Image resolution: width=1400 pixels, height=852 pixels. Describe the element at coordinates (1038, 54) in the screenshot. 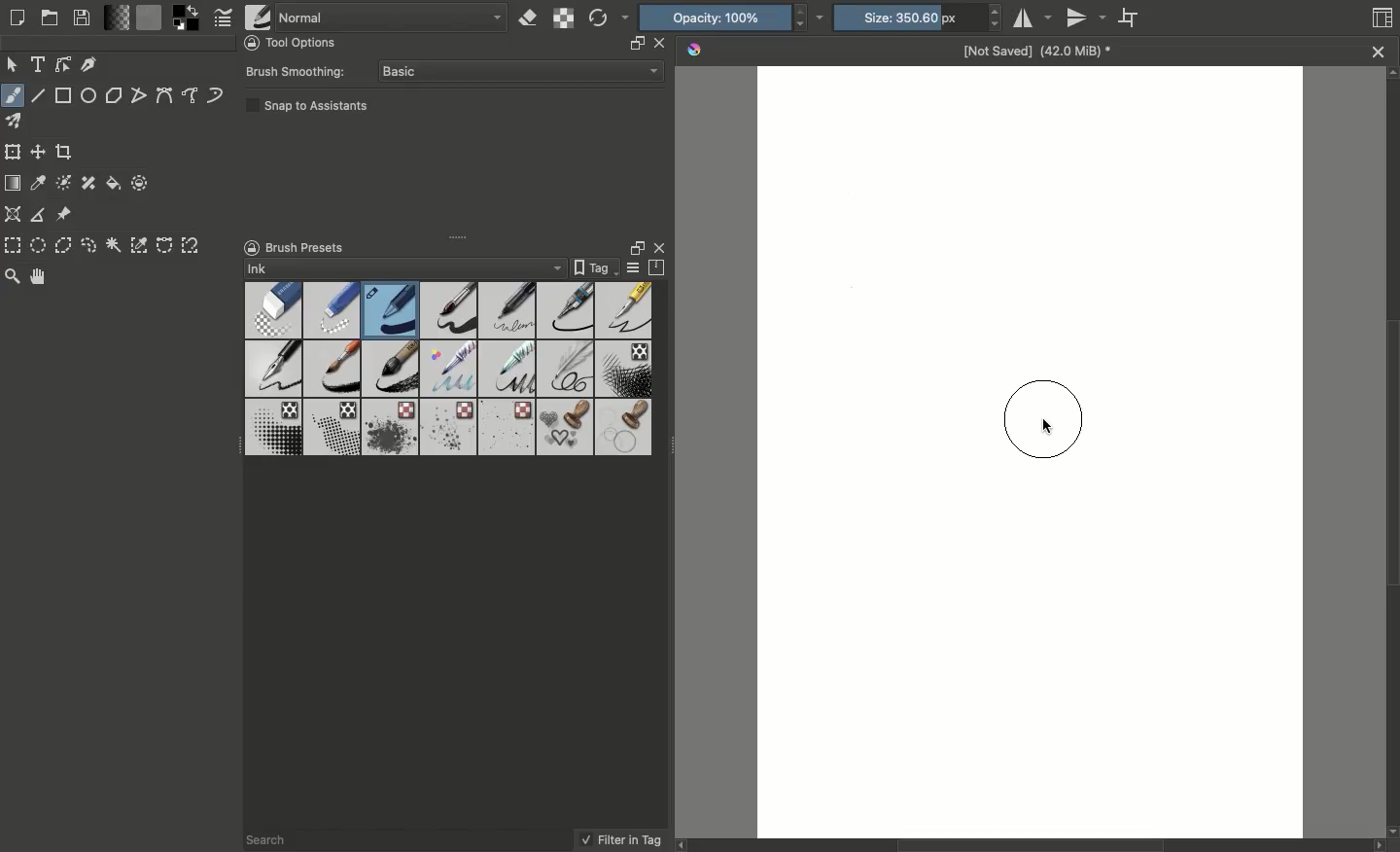

I see `Name` at that location.